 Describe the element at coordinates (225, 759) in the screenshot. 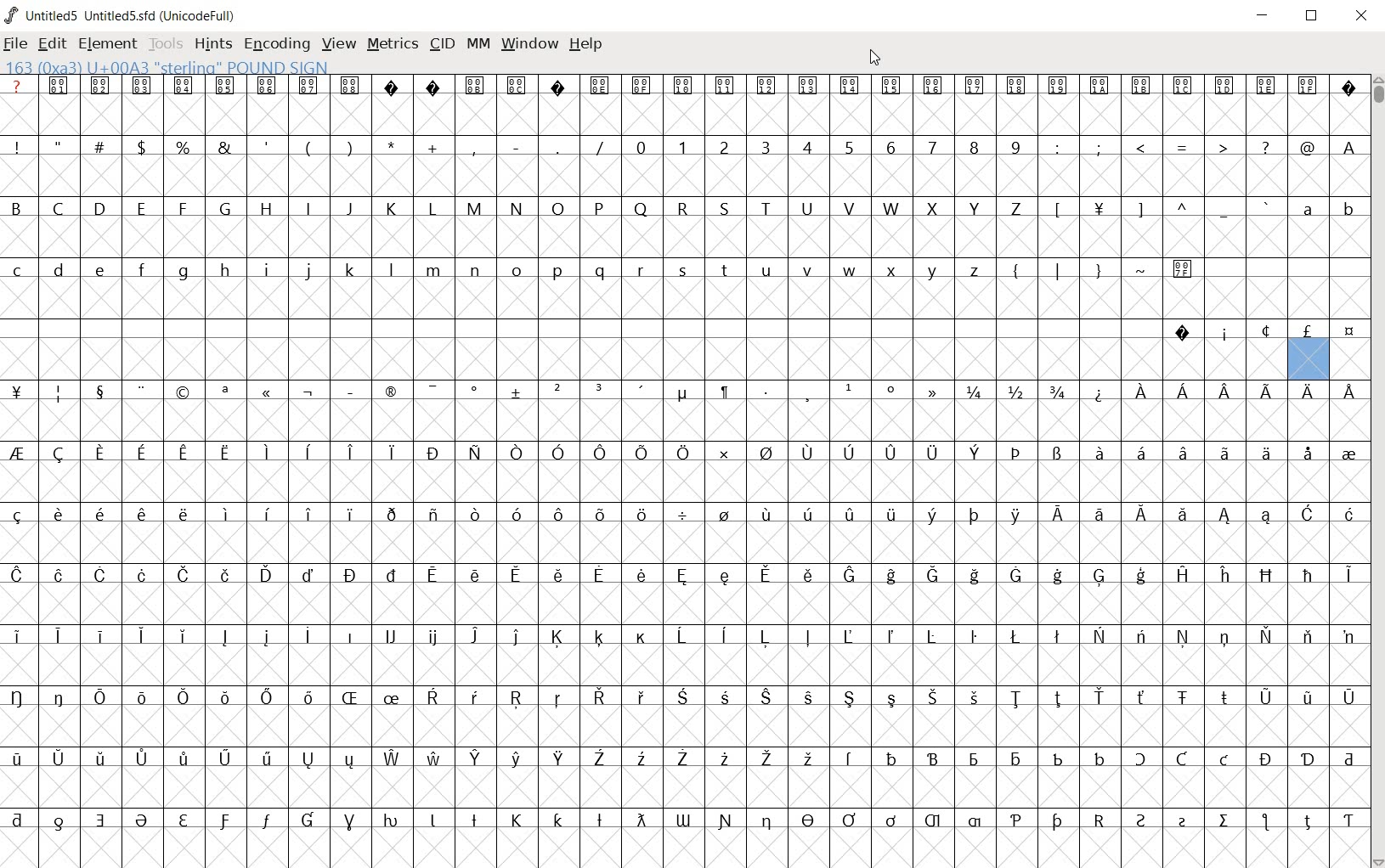

I see `Symbol` at that location.